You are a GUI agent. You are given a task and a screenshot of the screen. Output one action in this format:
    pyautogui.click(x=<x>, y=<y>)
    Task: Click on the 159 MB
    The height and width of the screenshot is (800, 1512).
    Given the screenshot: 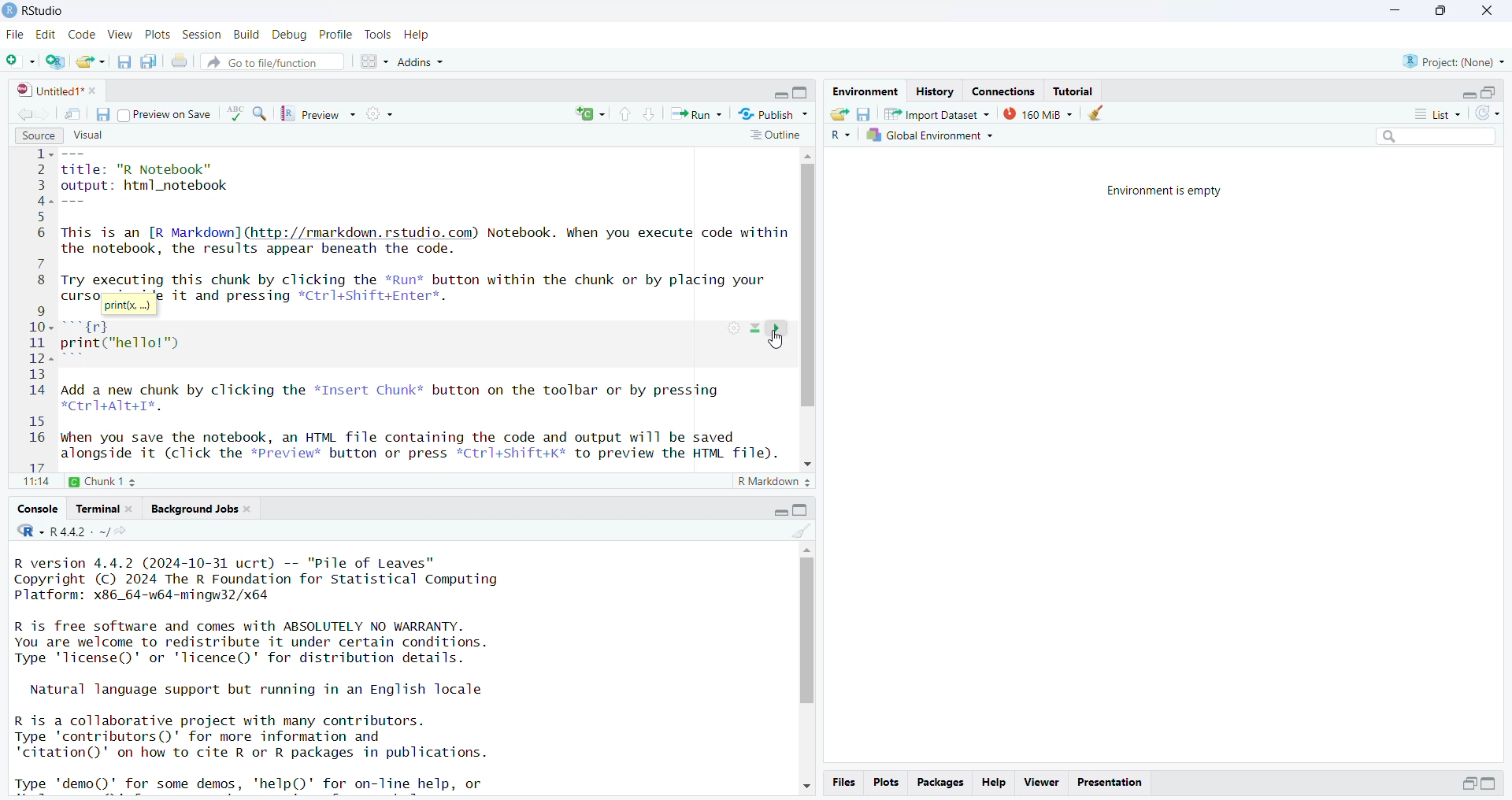 What is the action you would take?
    pyautogui.click(x=1037, y=113)
    